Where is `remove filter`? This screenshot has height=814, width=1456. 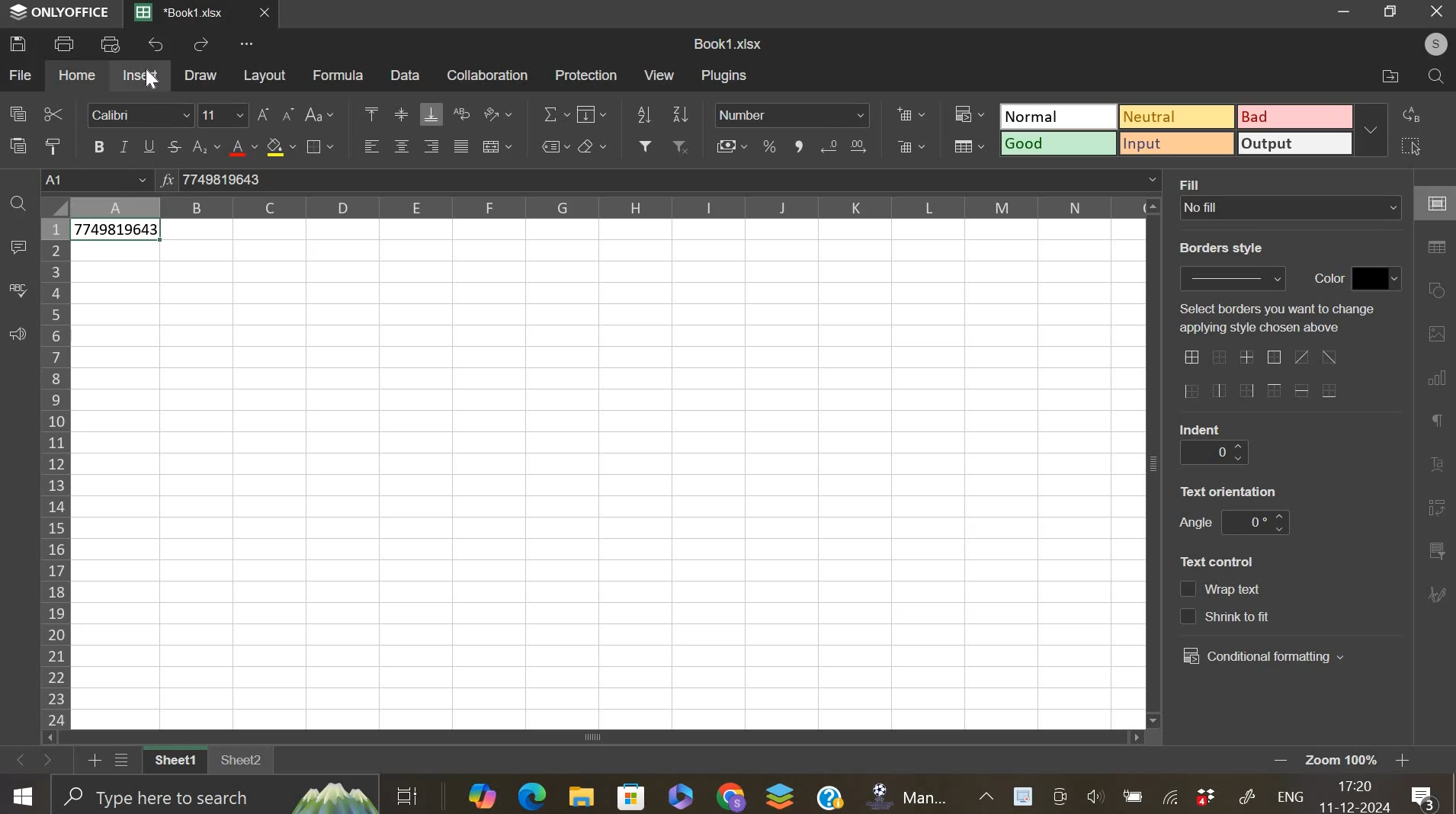 remove filter is located at coordinates (679, 145).